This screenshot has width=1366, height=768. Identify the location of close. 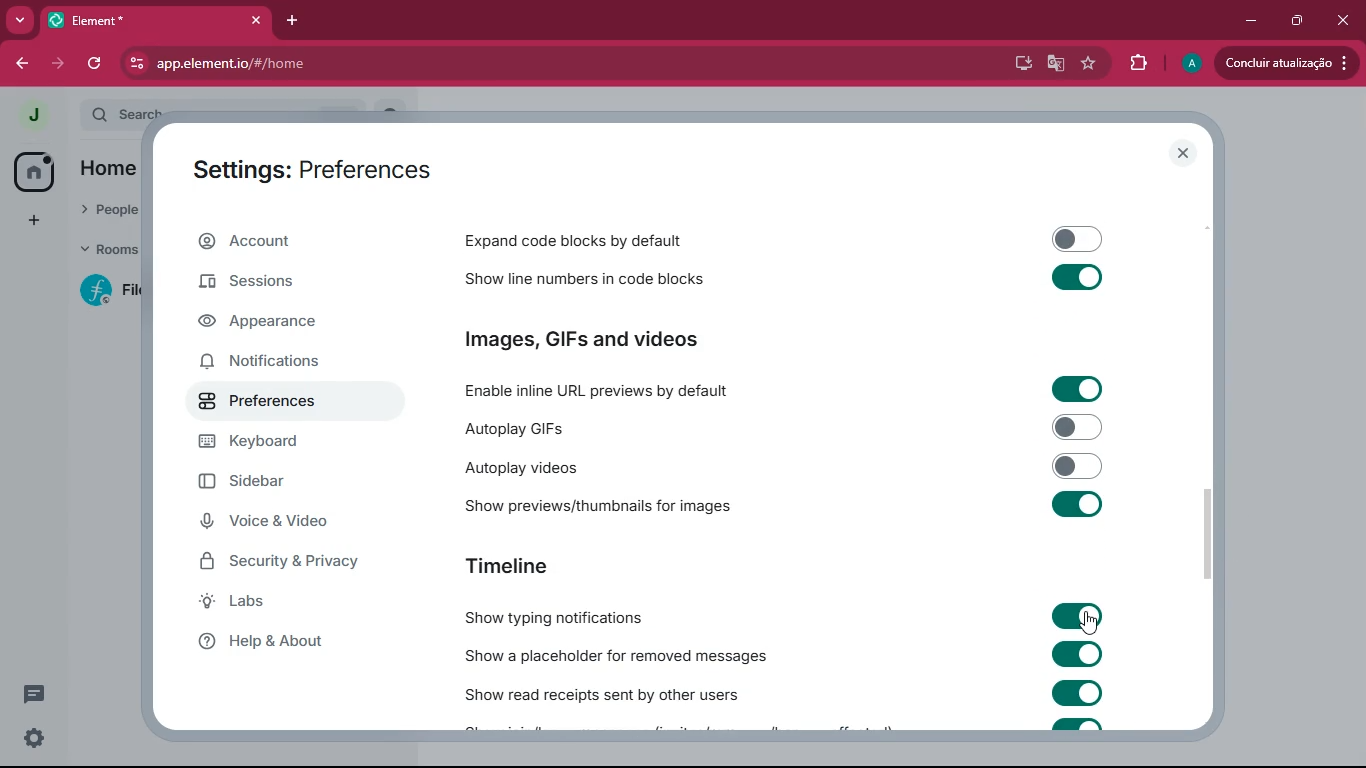
(1182, 153).